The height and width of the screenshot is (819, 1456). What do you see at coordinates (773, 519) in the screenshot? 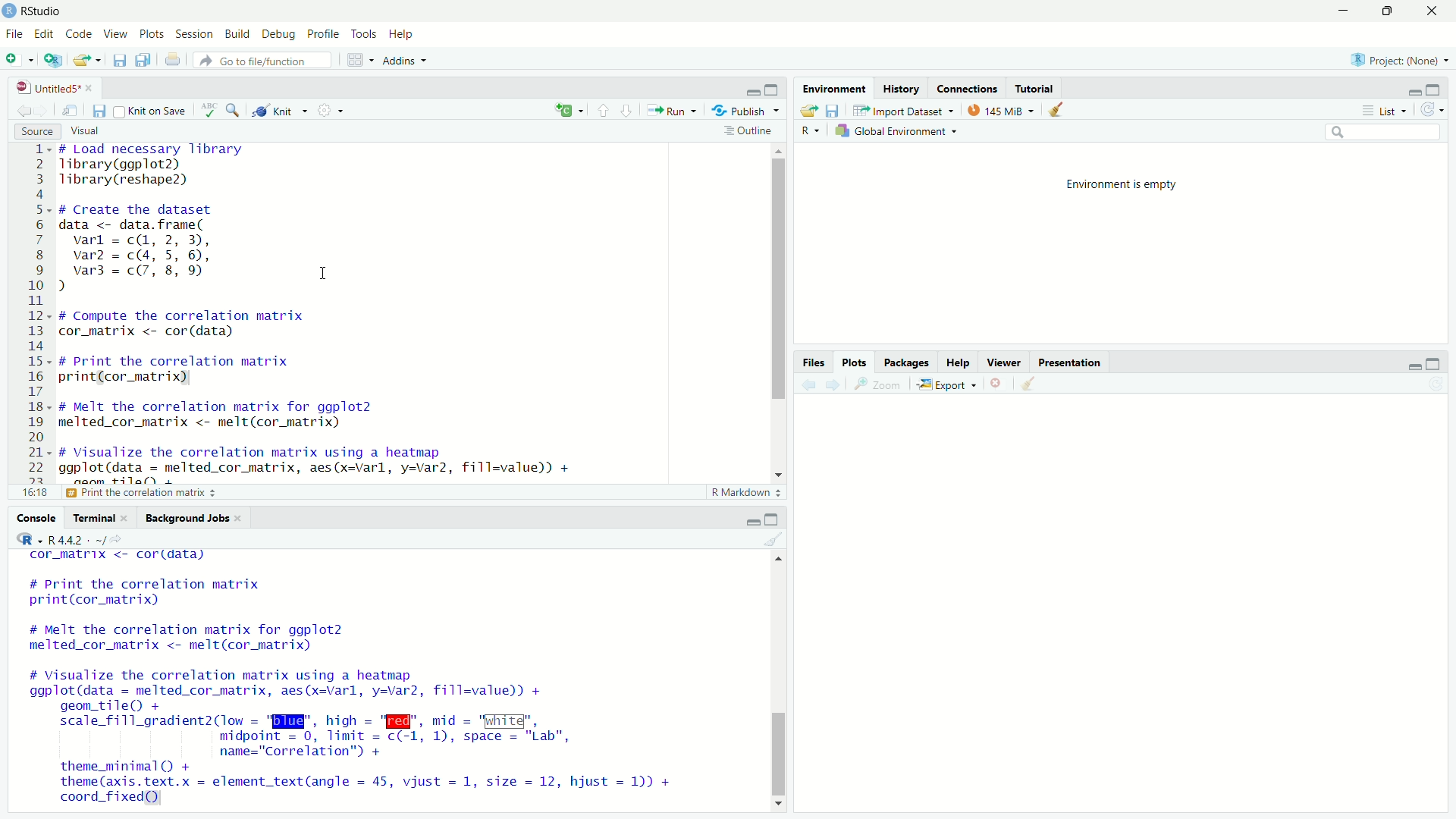
I see `maximize` at bounding box center [773, 519].